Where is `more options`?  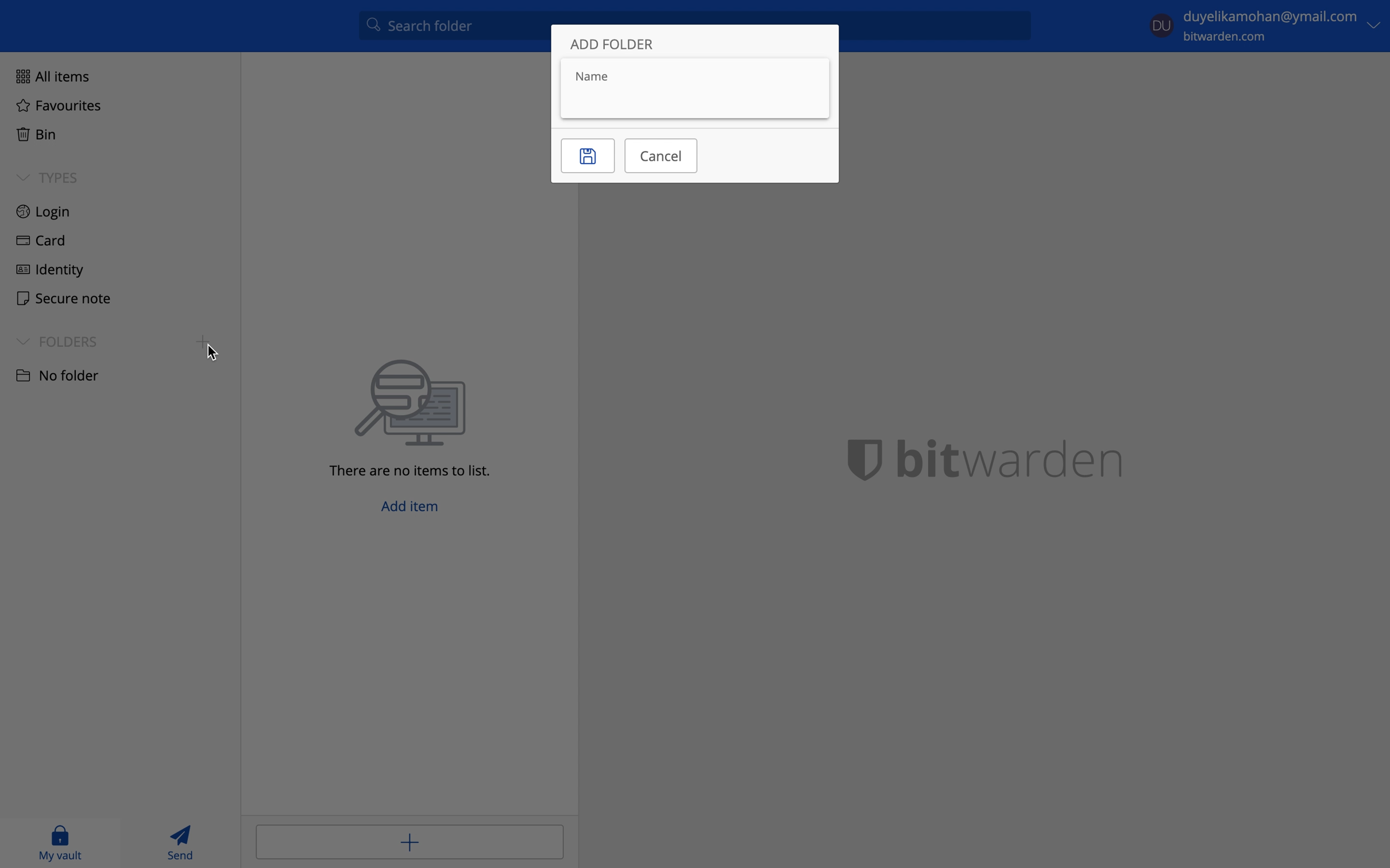
more options is located at coordinates (1374, 26).